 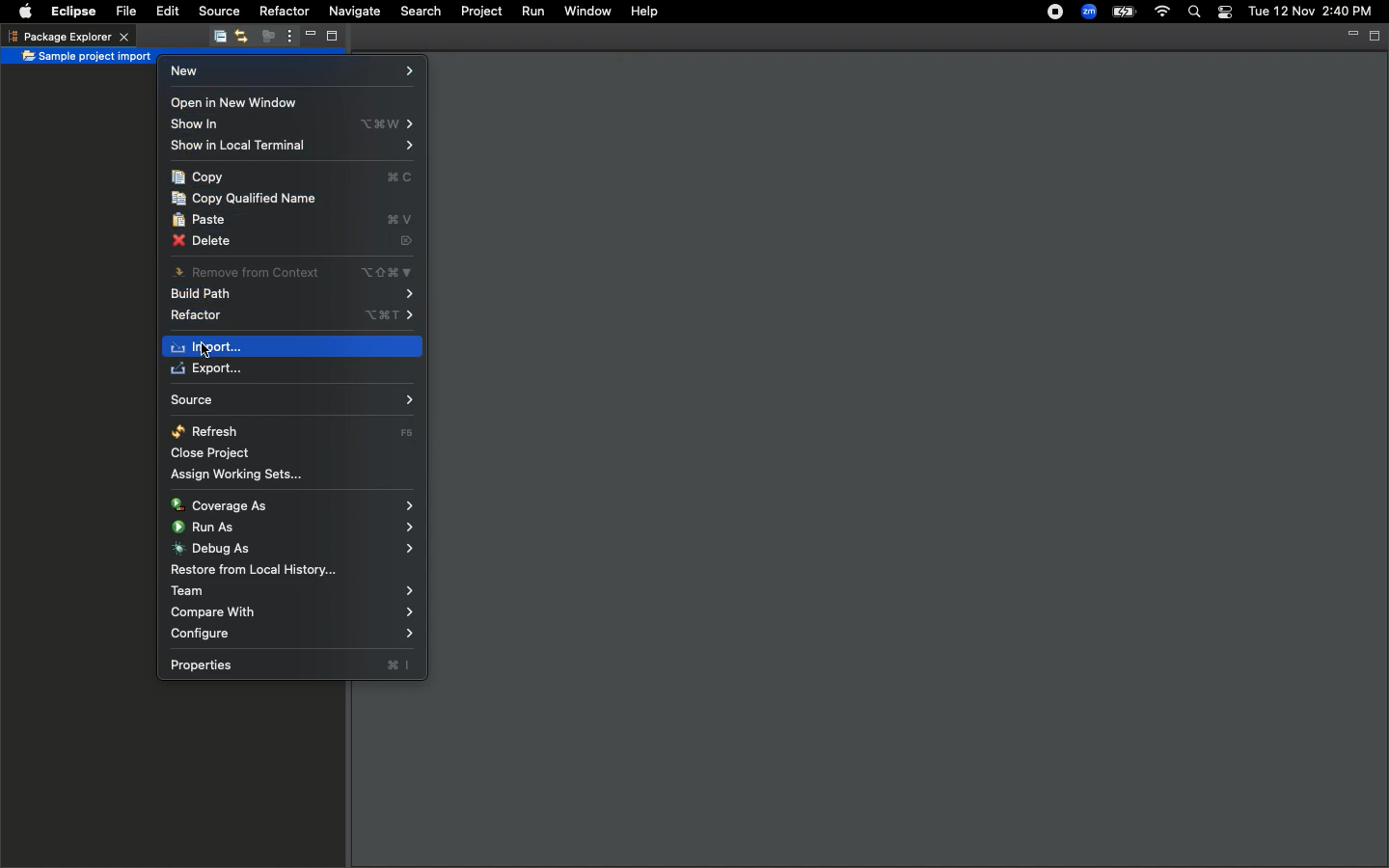 I want to click on Maximize, so click(x=1375, y=36).